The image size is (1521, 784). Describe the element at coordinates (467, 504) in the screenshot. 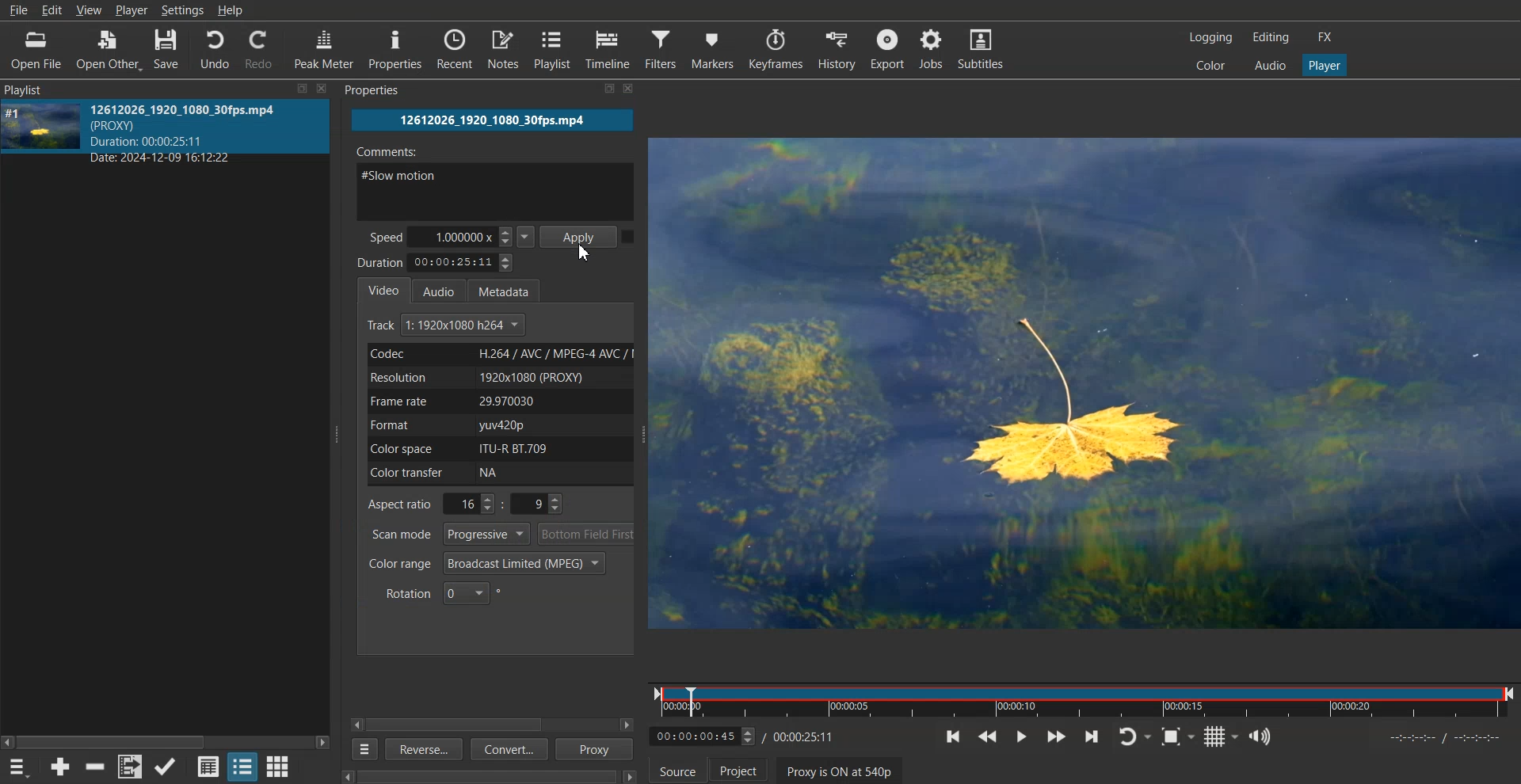

I see `Aspect ratio Adjuster` at that location.